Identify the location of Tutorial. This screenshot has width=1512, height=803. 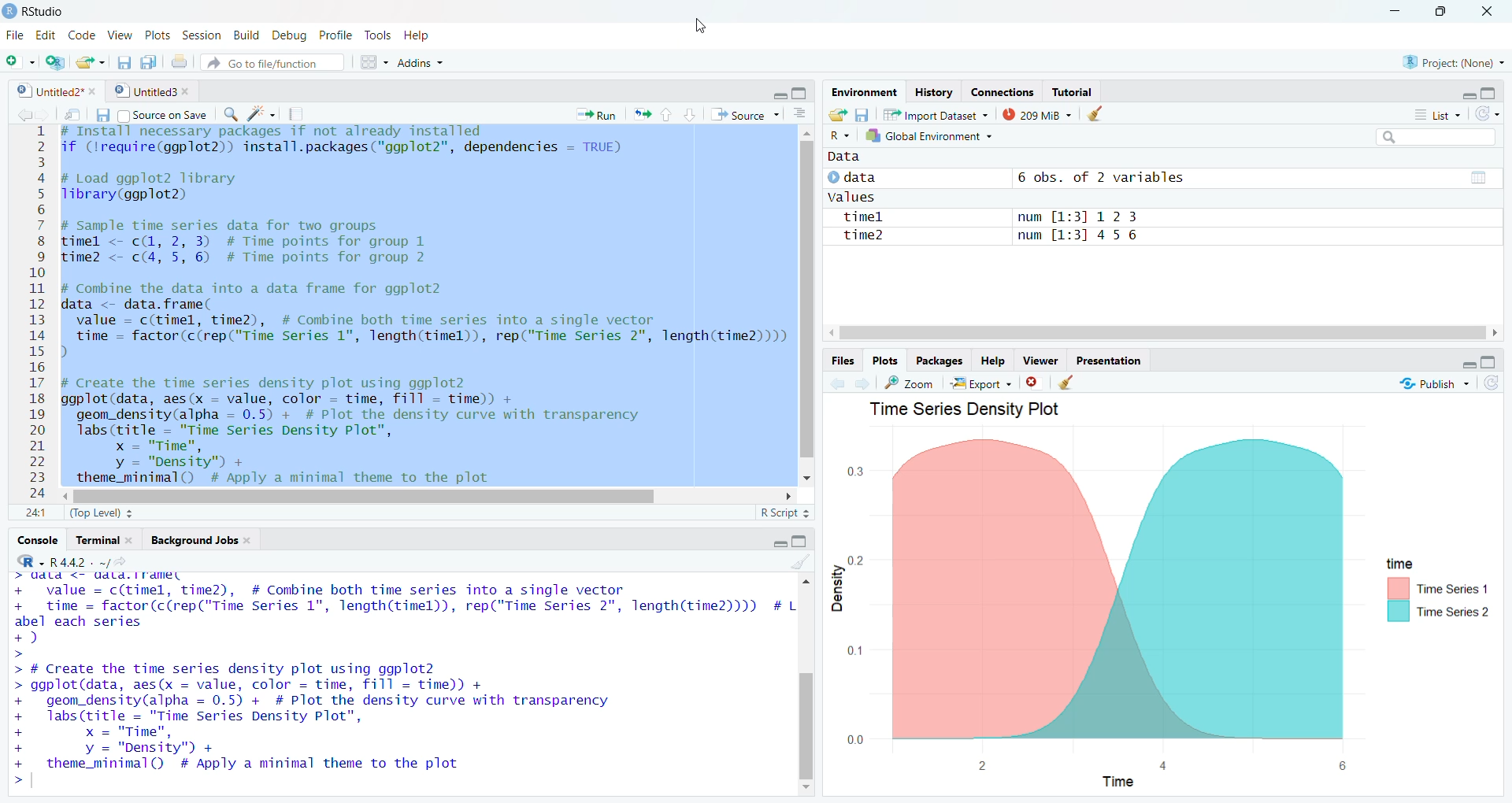
(1073, 92).